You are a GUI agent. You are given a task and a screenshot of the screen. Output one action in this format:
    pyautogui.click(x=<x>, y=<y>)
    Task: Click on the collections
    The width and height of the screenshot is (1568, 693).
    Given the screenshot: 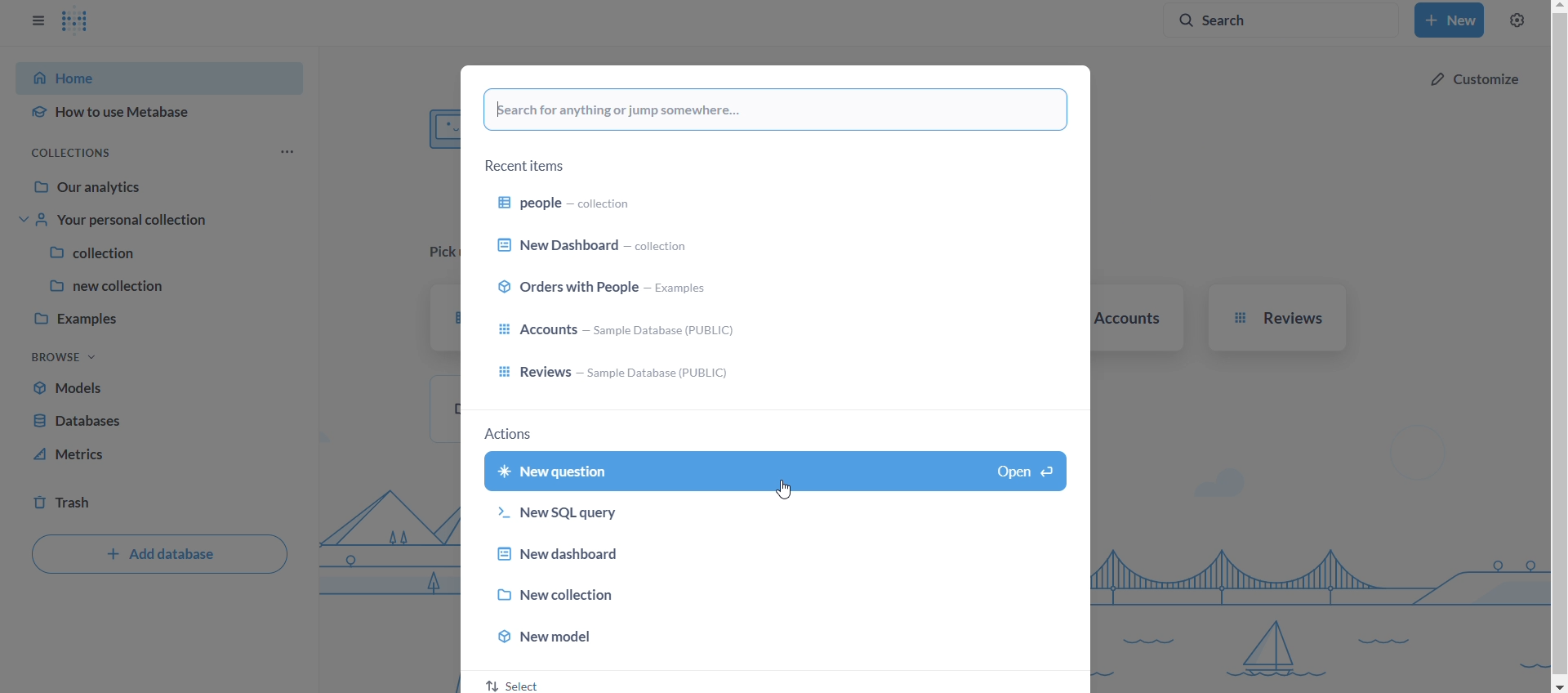 What is the action you would take?
    pyautogui.click(x=75, y=154)
    